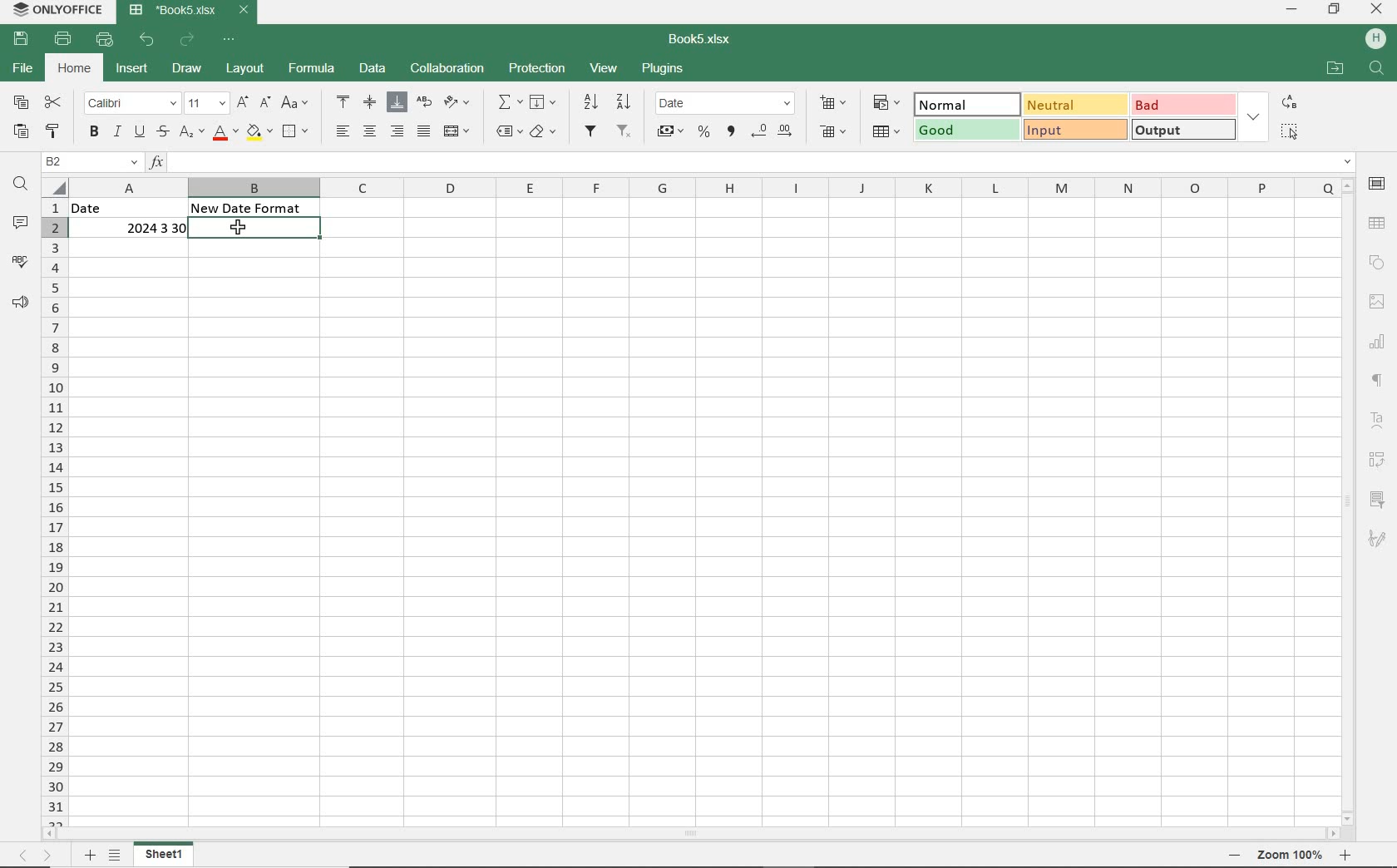 The height and width of the screenshot is (868, 1397). Describe the element at coordinates (544, 103) in the screenshot. I see `FILL` at that location.